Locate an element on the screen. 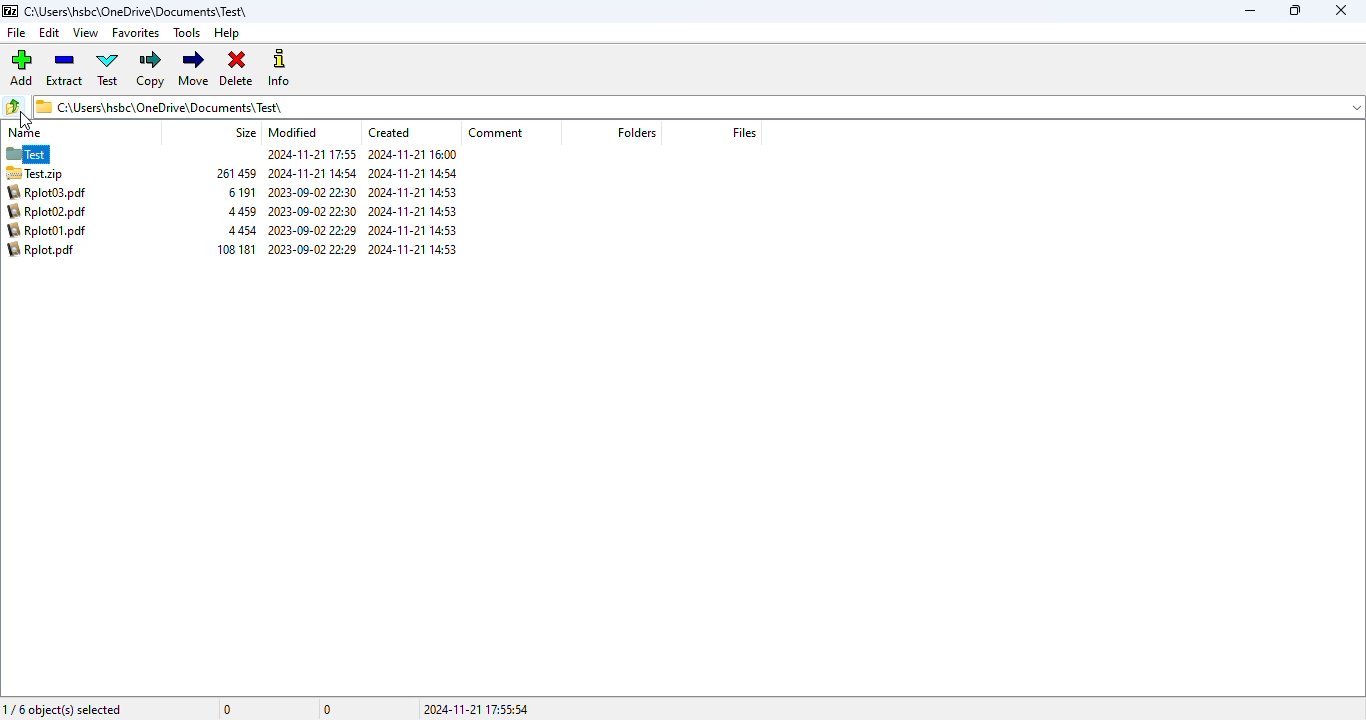 This screenshot has height=720, width=1366. 2023-09-02 22:29 is located at coordinates (311, 250).